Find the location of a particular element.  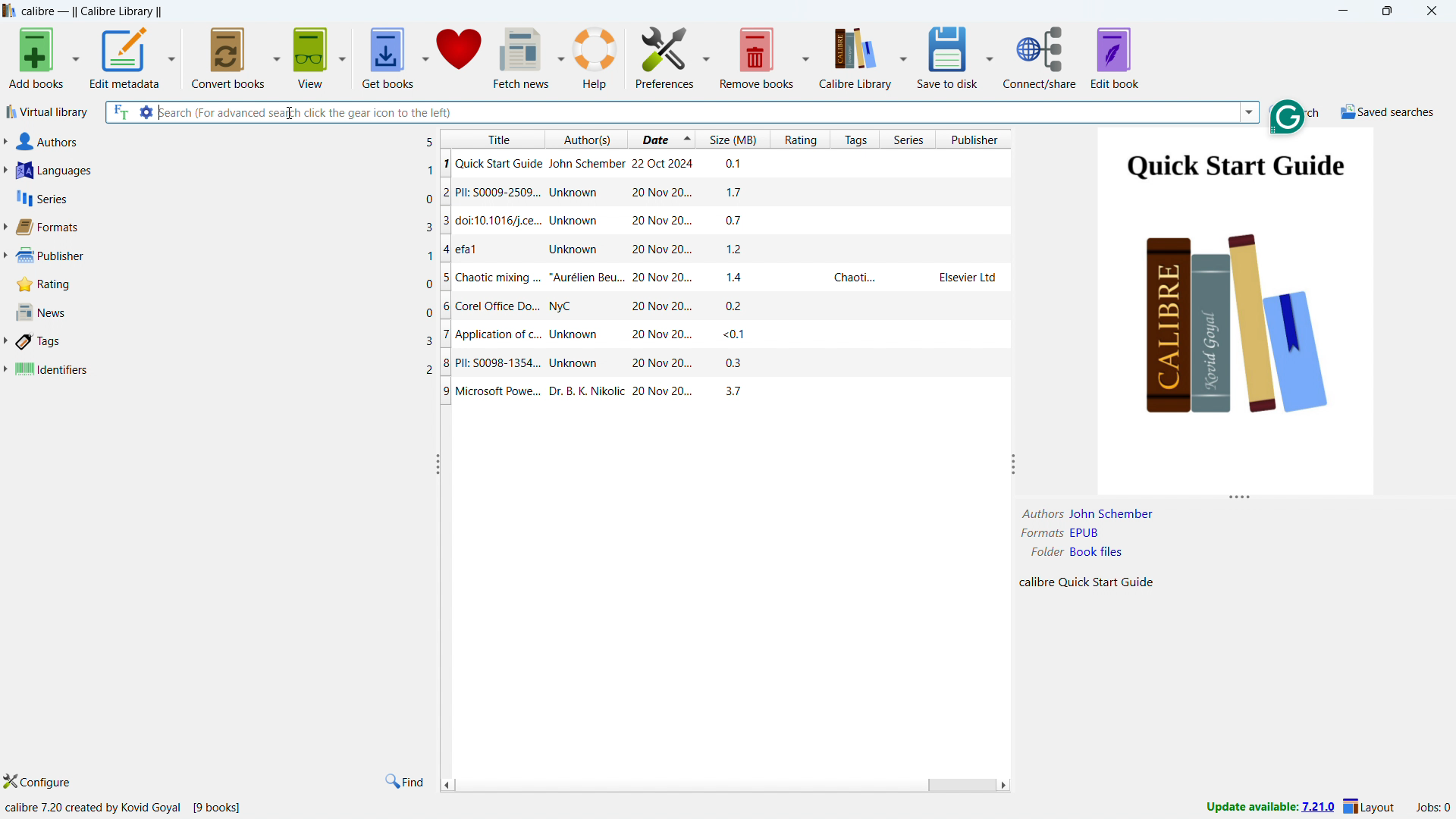

expand format is located at coordinates (5, 228).